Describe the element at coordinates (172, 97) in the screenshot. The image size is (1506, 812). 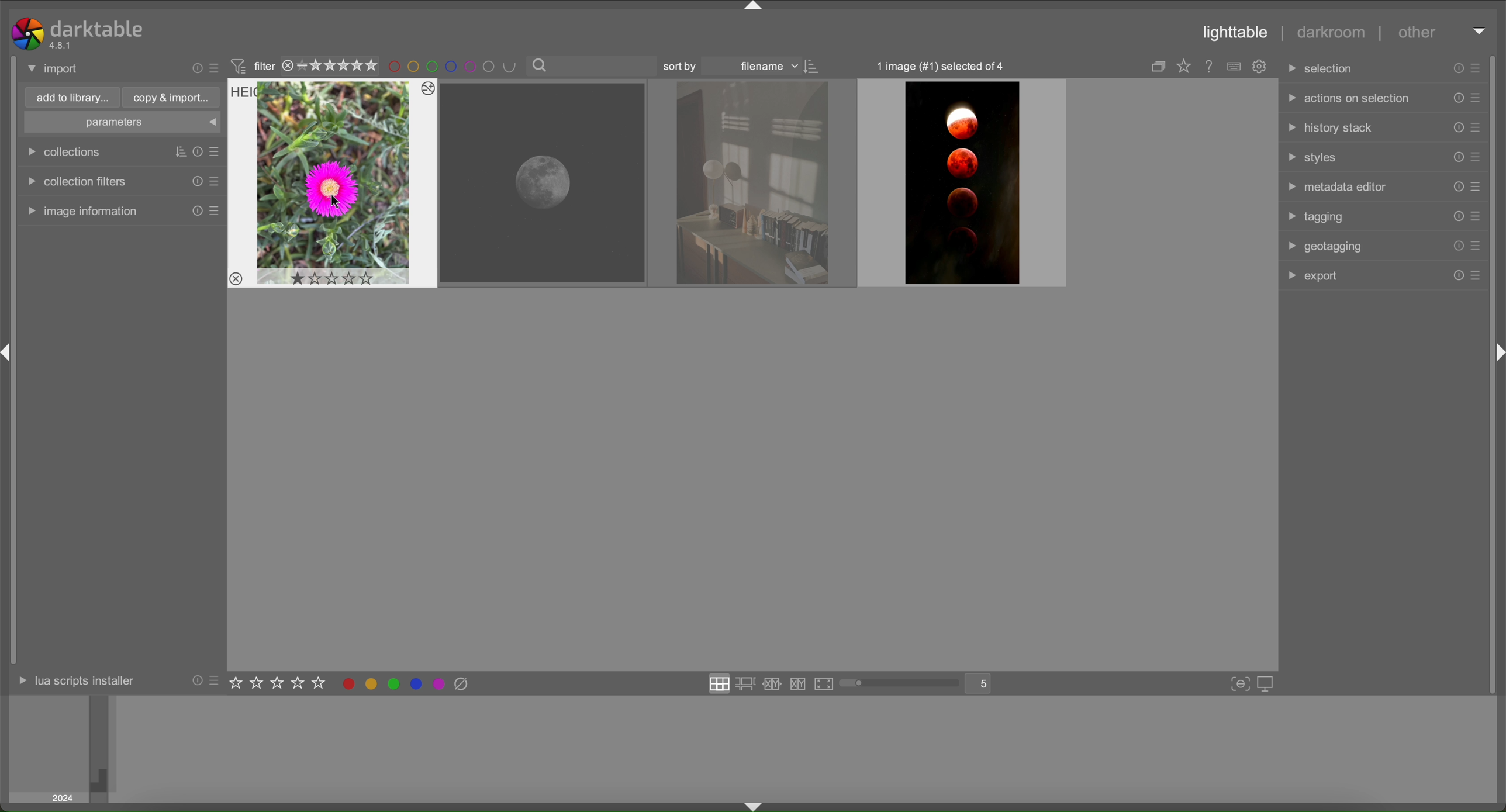
I see `copy and import` at that location.